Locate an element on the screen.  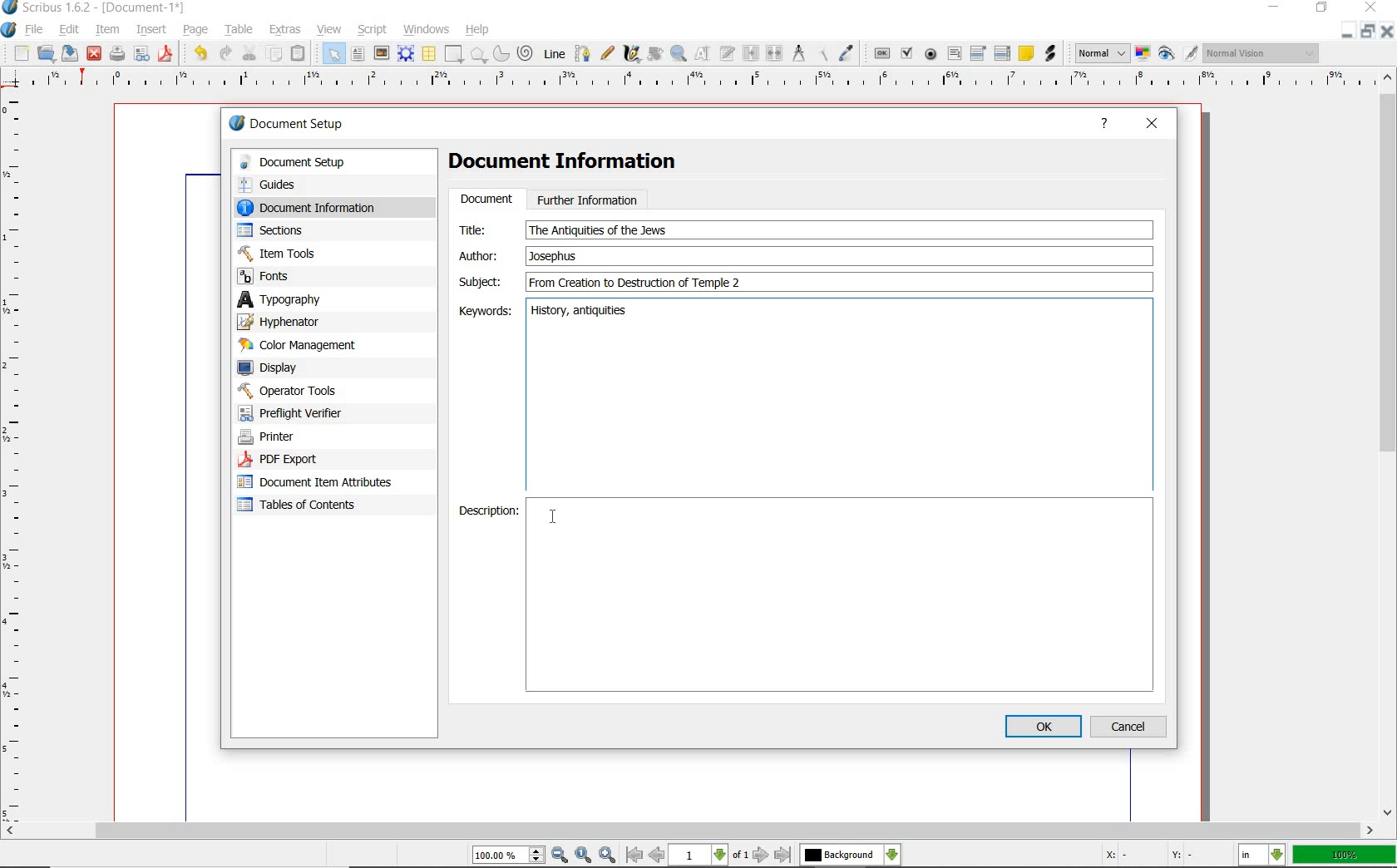
page is located at coordinates (199, 30).